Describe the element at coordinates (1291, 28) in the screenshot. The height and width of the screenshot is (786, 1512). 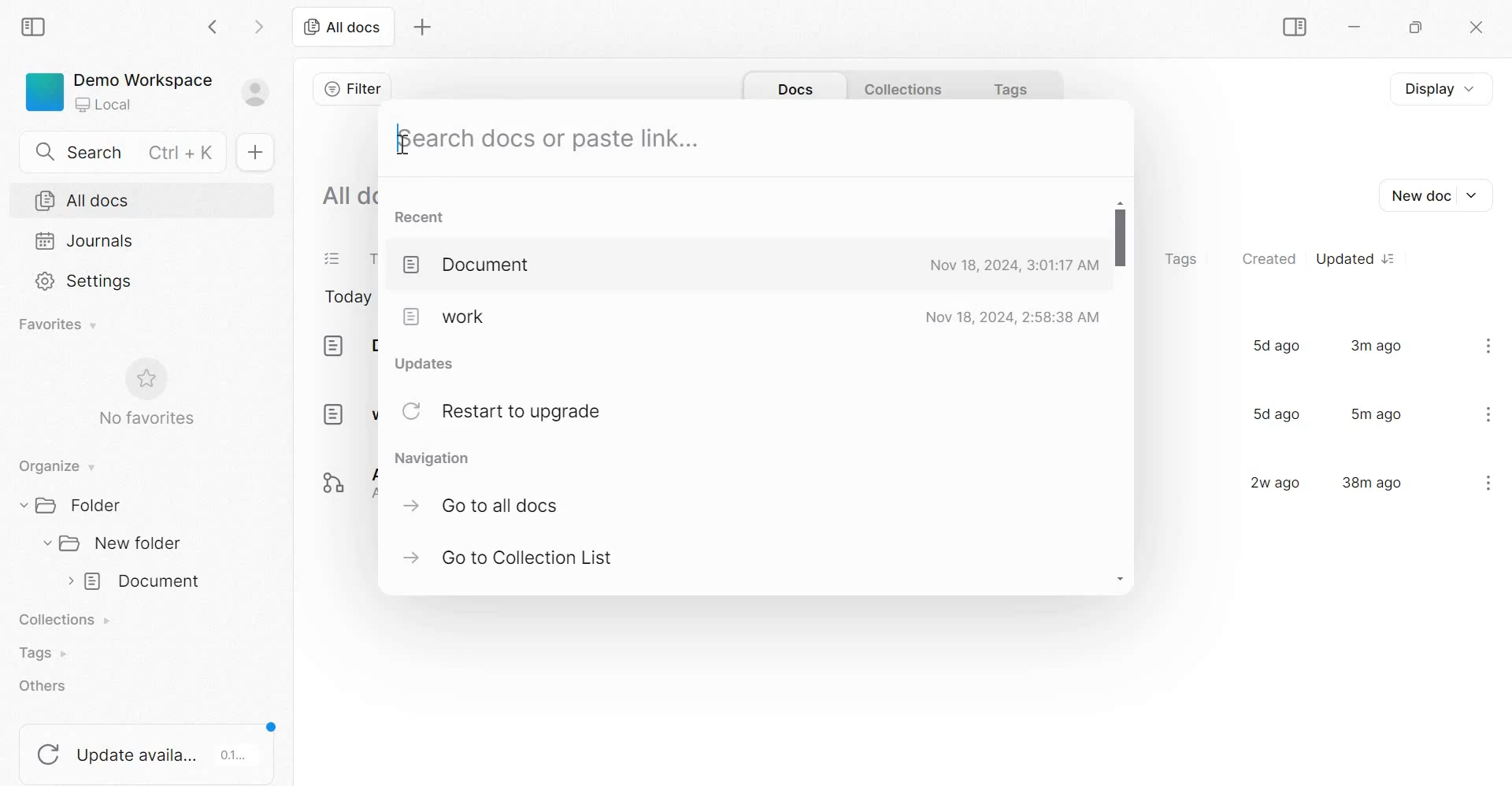
I see `Sidebar Toggle` at that location.